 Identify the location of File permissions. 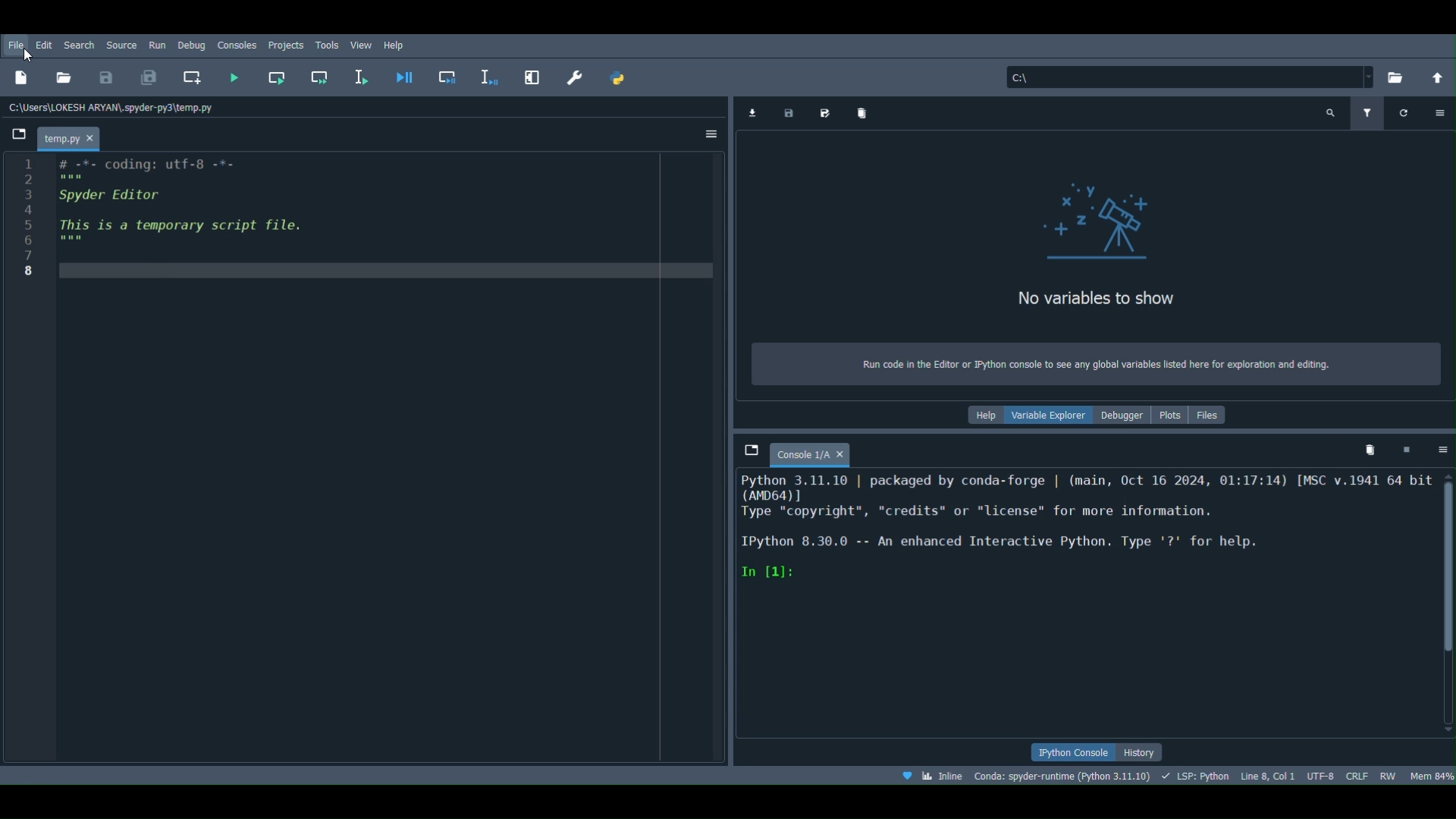
(1389, 773).